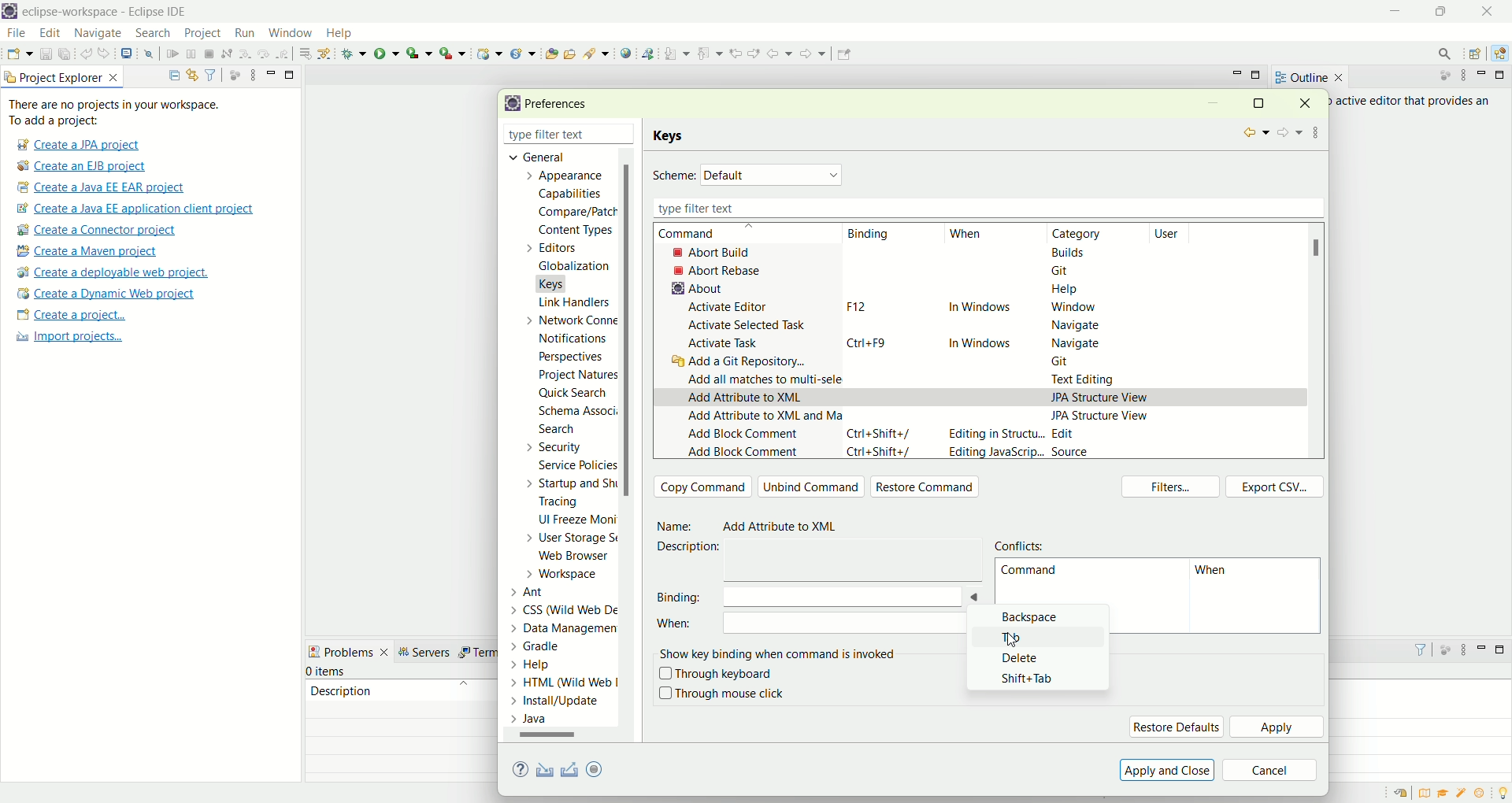 The width and height of the screenshot is (1512, 803). What do you see at coordinates (743, 451) in the screenshot?
I see `add block comment` at bounding box center [743, 451].